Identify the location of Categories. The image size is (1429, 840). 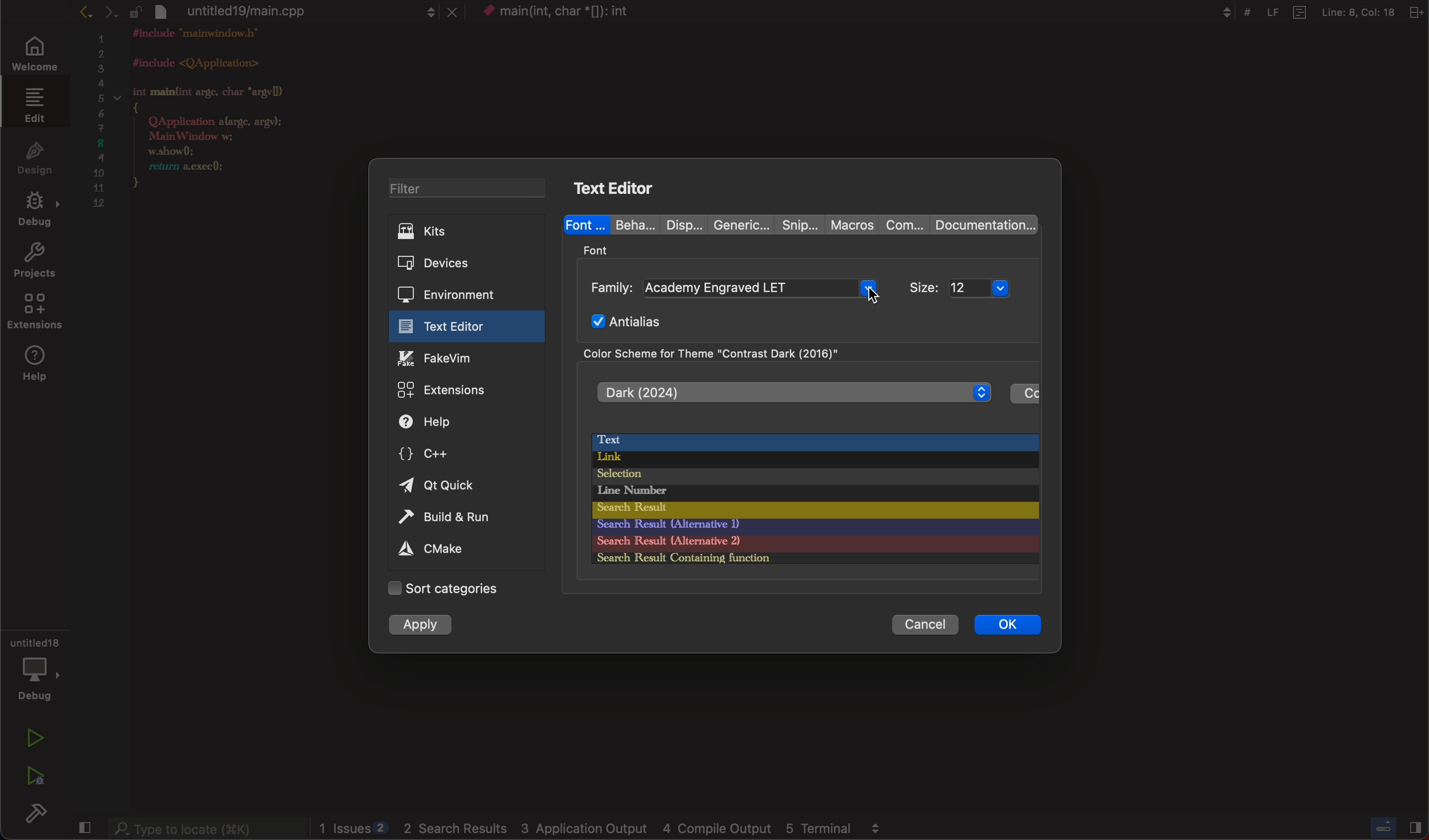
(454, 589).